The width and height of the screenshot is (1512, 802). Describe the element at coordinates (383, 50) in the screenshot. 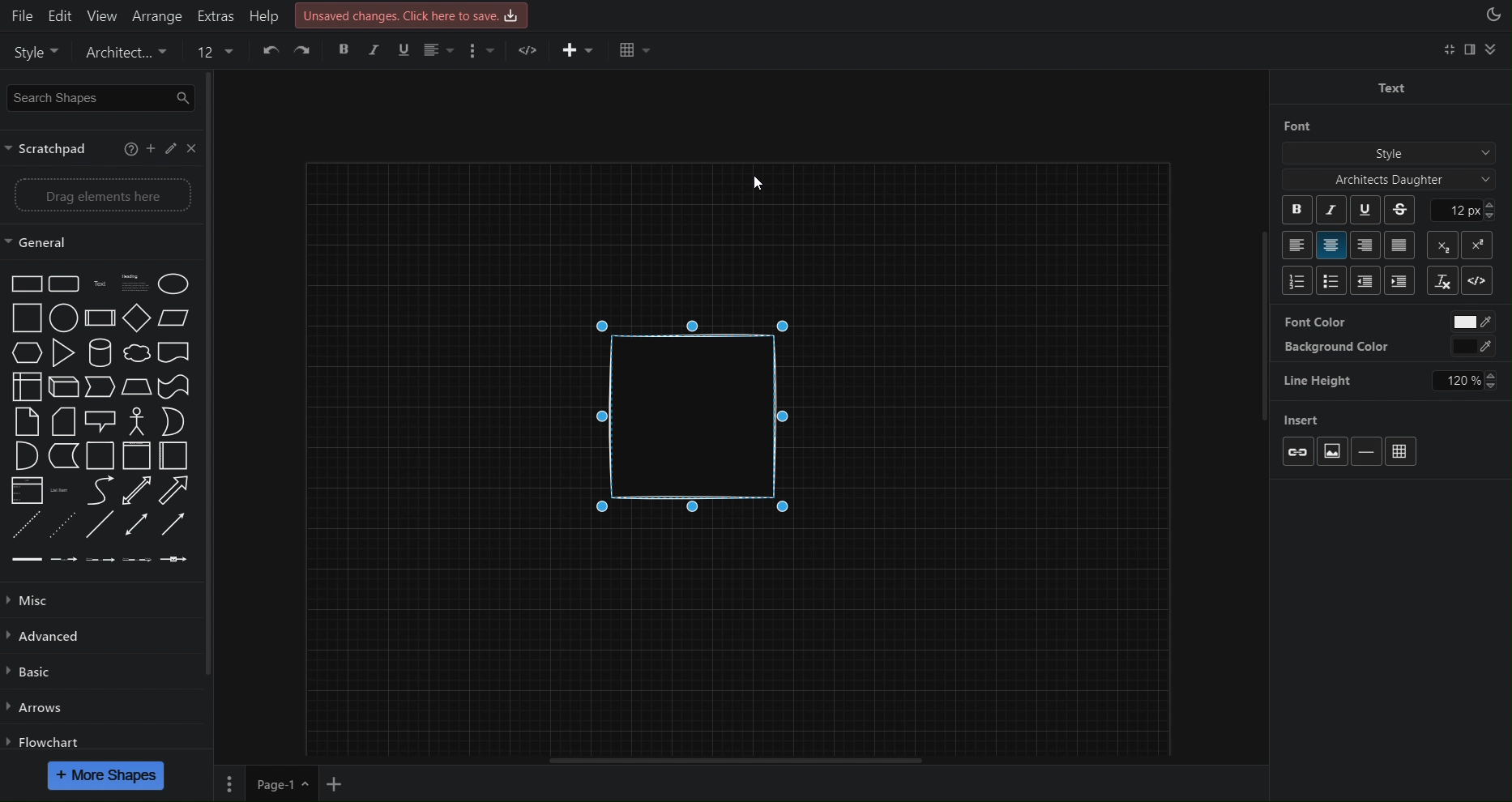

I see `Send to back` at that location.